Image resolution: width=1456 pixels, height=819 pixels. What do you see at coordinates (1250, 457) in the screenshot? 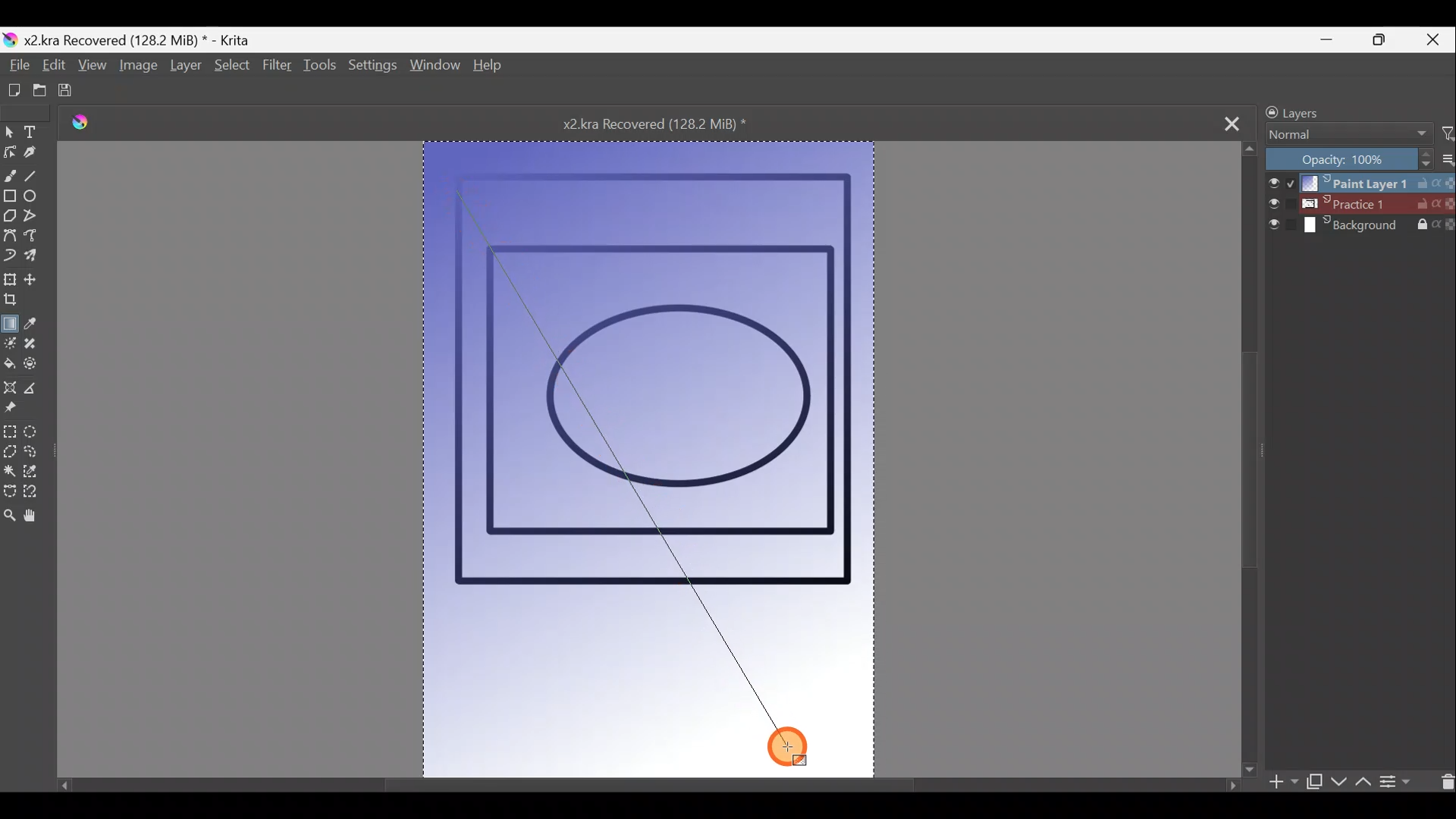
I see `Scroll bar` at bounding box center [1250, 457].